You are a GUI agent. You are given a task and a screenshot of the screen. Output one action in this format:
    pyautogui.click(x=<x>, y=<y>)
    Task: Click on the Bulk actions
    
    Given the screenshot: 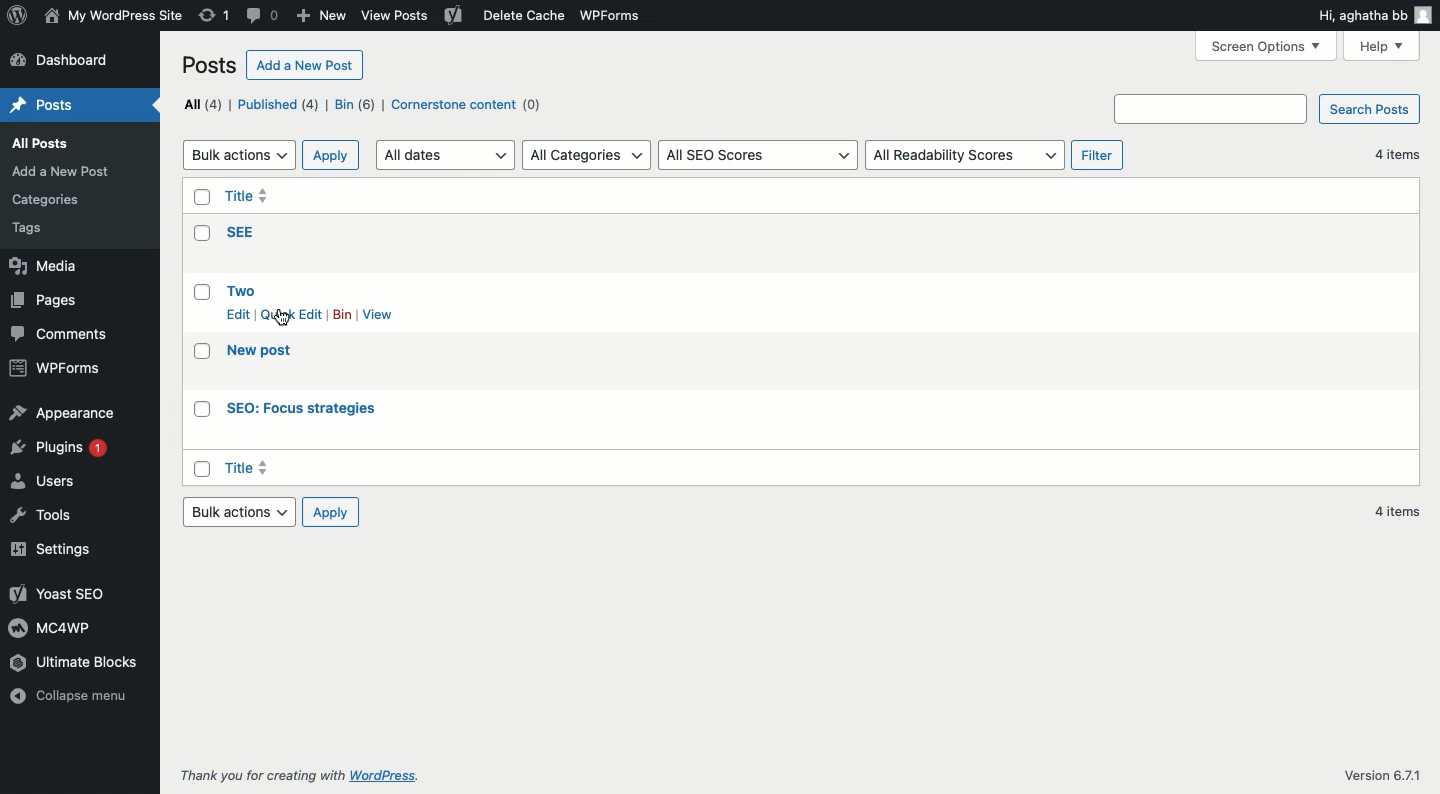 What is the action you would take?
    pyautogui.click(x=239, y=513)
    